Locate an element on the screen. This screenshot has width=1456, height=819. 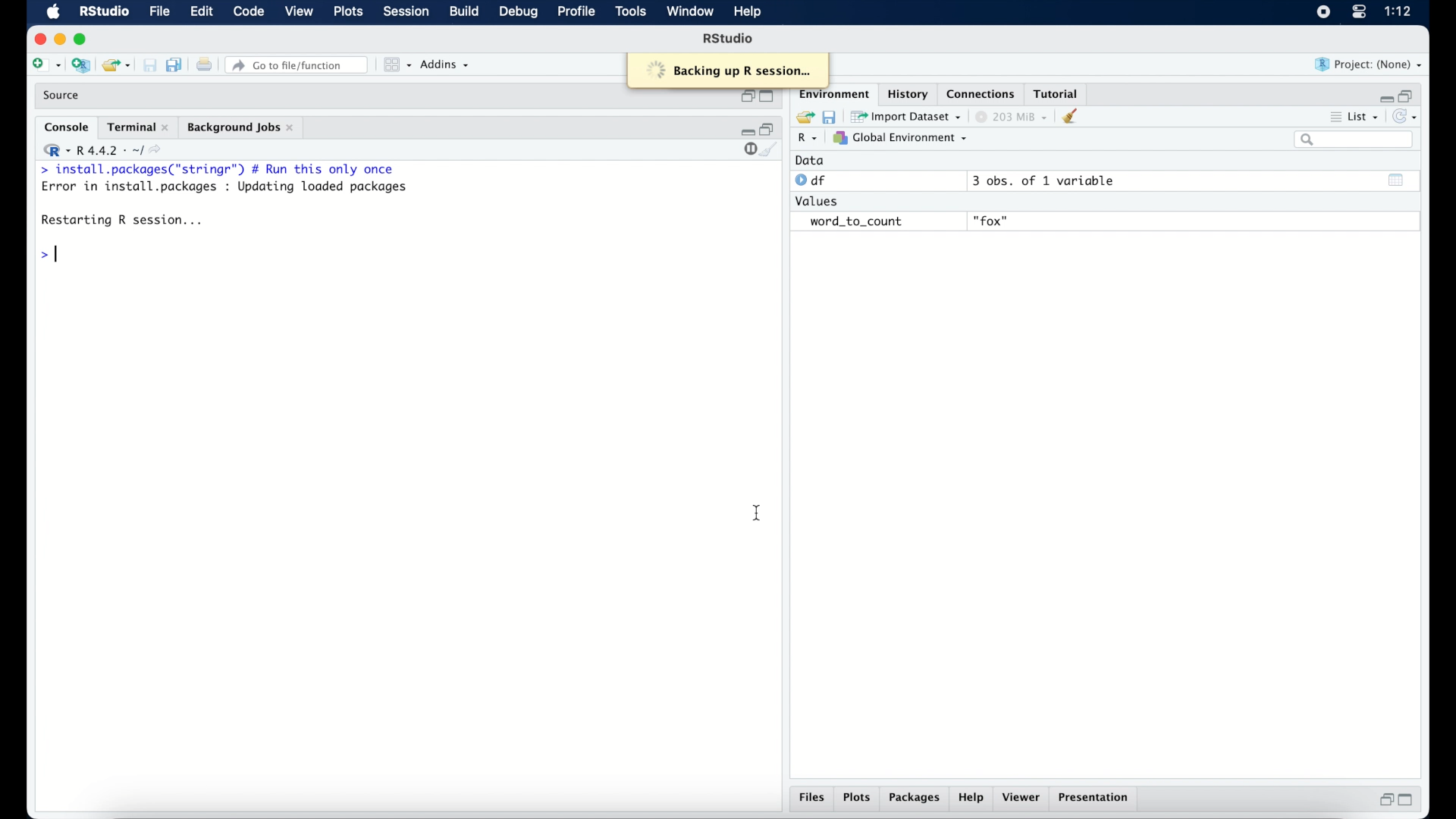
view is located at coordinates (299, 12).